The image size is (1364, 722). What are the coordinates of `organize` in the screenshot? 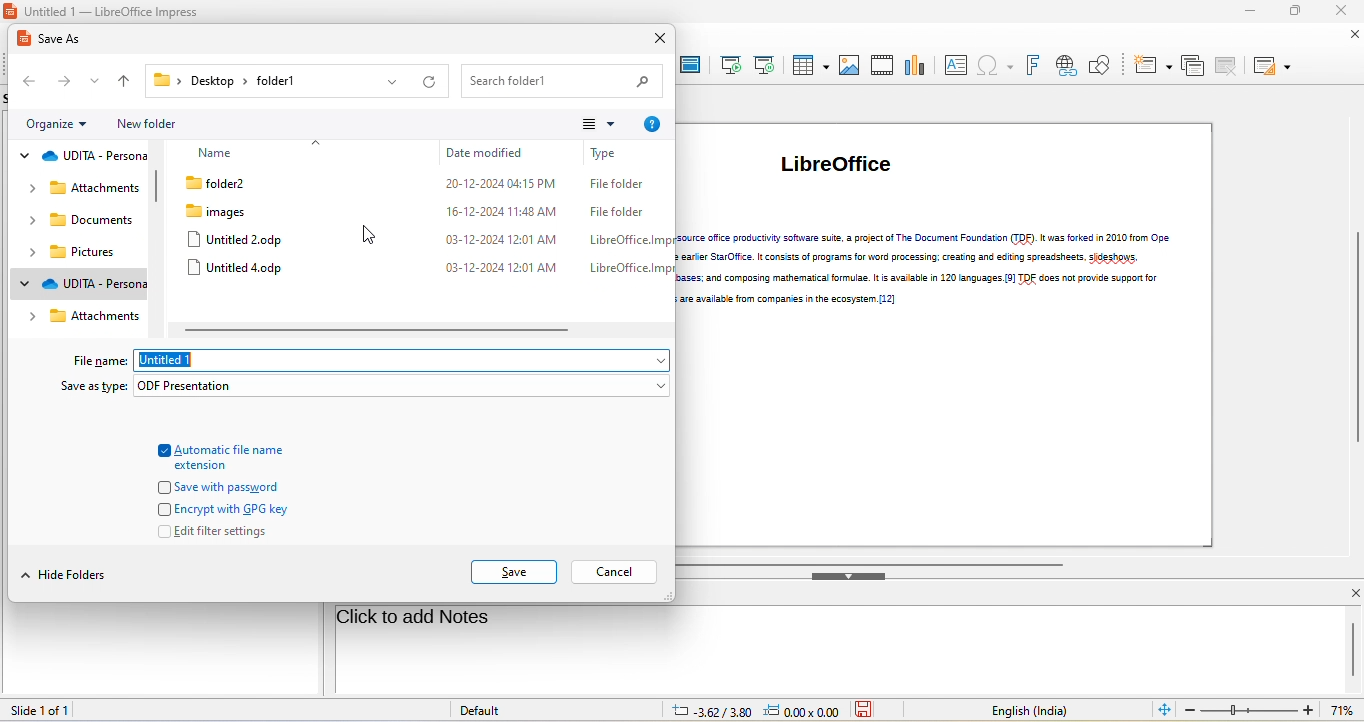 It's located at (59, 124).